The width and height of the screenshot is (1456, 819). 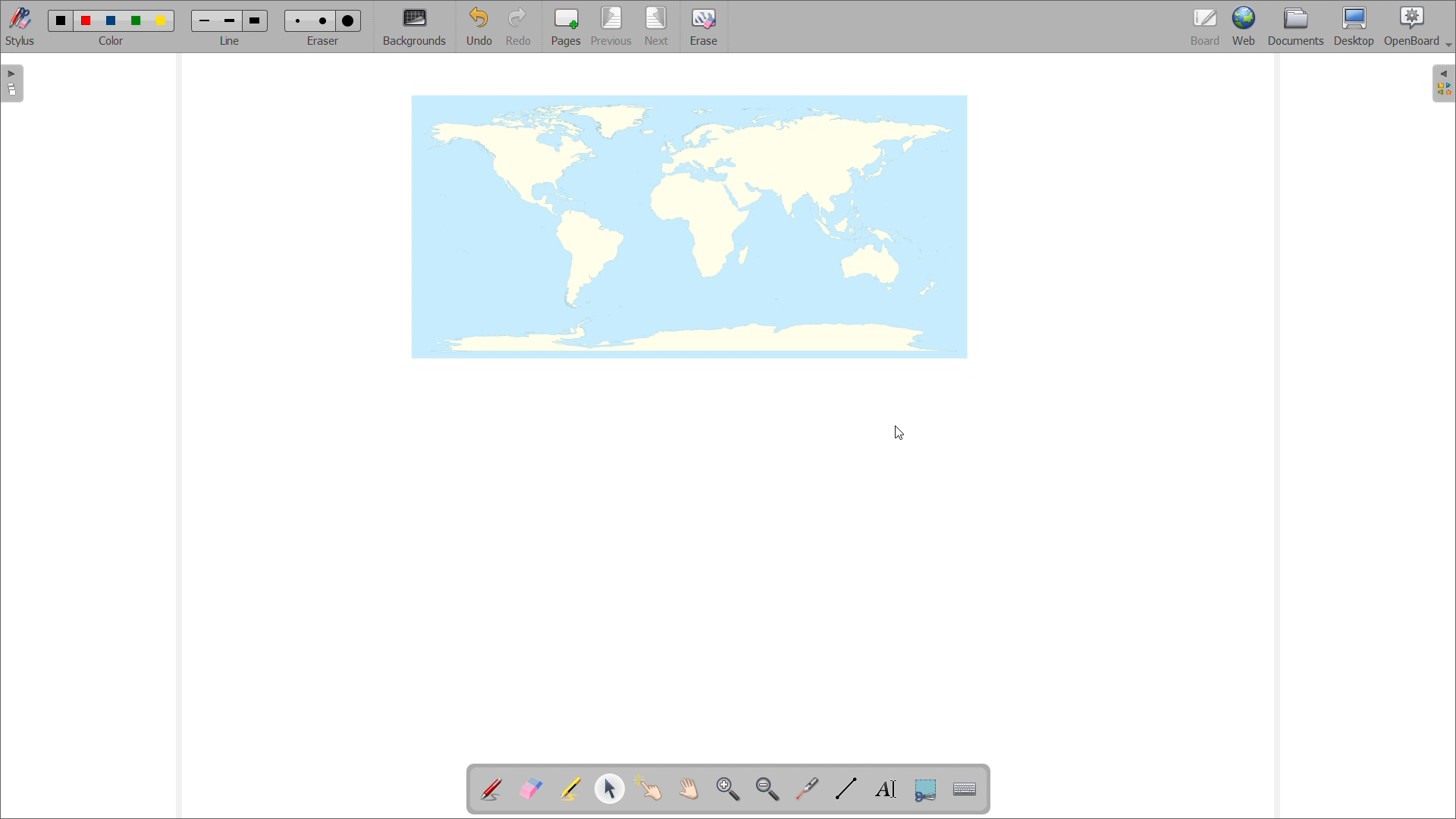 What do you see at coordinates (322, 42) in the screenshot?
I see `eraser` at bounding box center [322, 42].